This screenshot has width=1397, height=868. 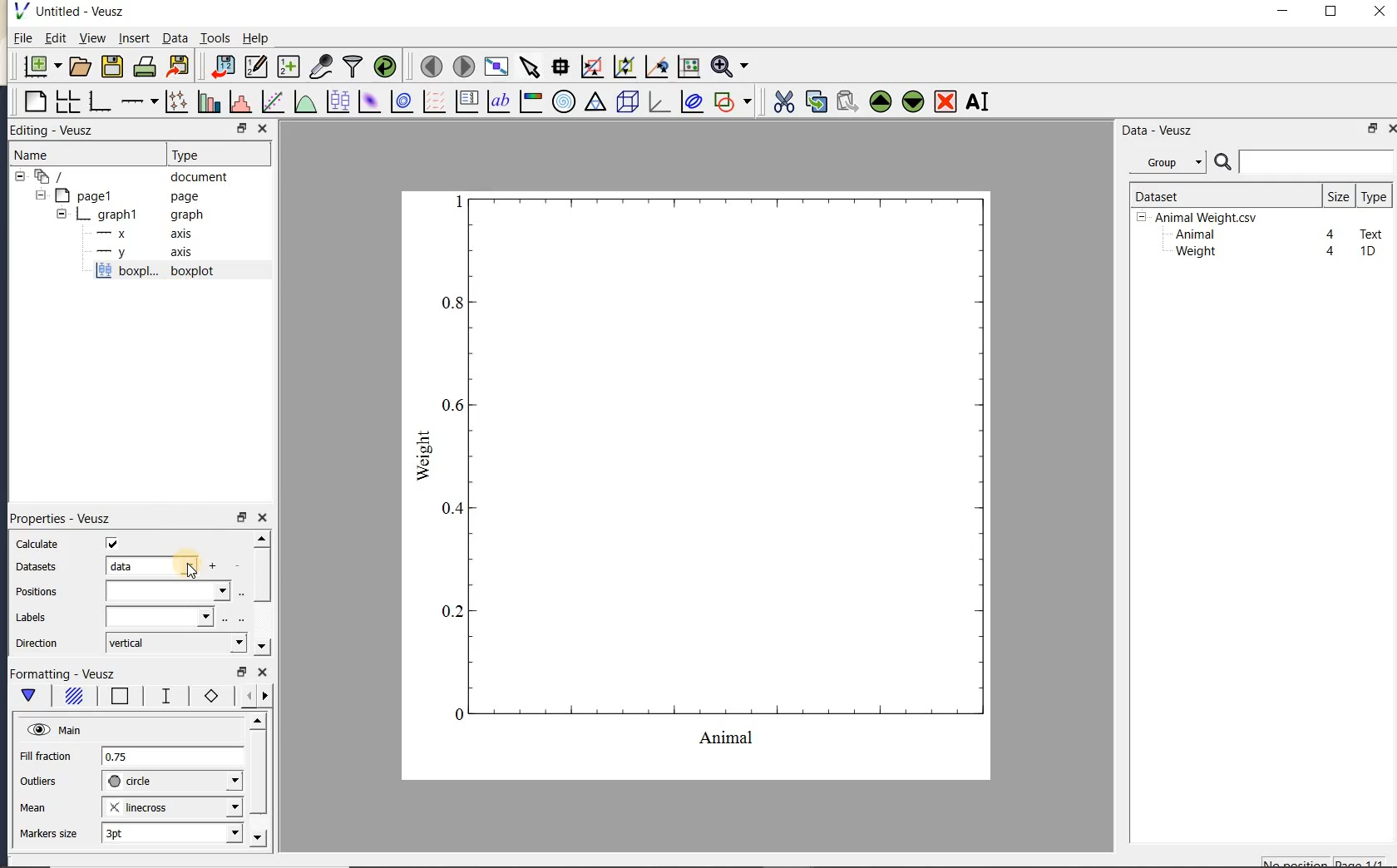 I want to click on plot box plots, so click(x=335, y=102).